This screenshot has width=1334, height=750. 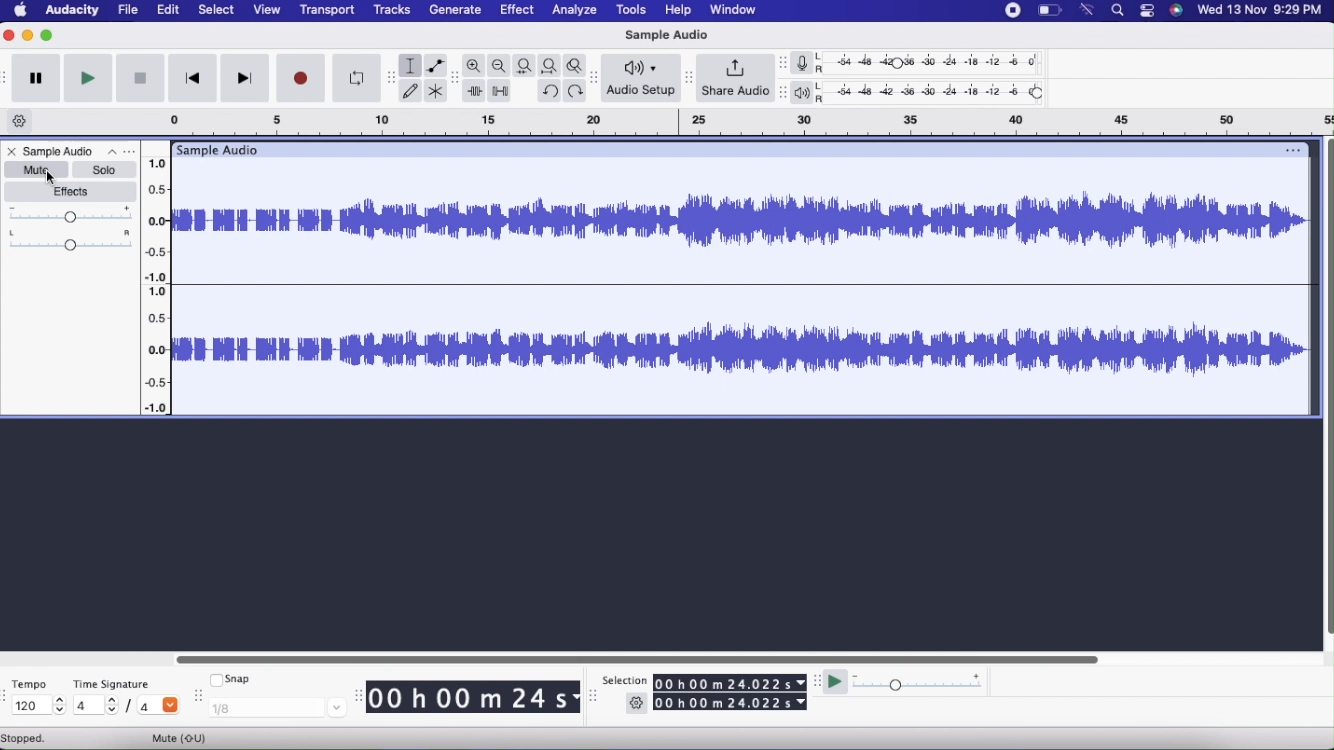 What do you see at coordinates (13, 151) in the screenshot?
I see `Close` at bounding box center [13, 151].